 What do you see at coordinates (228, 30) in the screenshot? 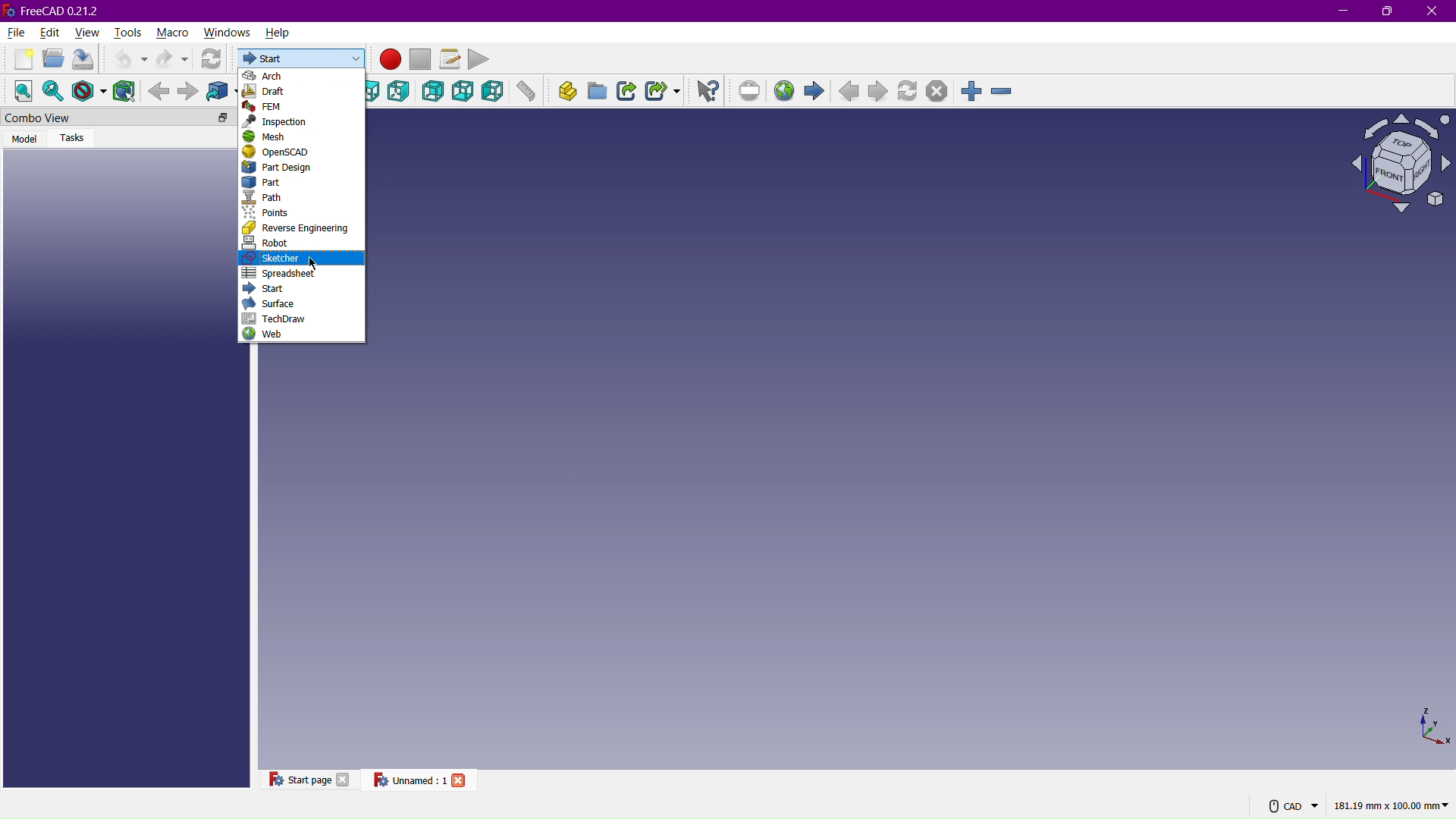
I see `Windows` at bounding box center [228, 30].